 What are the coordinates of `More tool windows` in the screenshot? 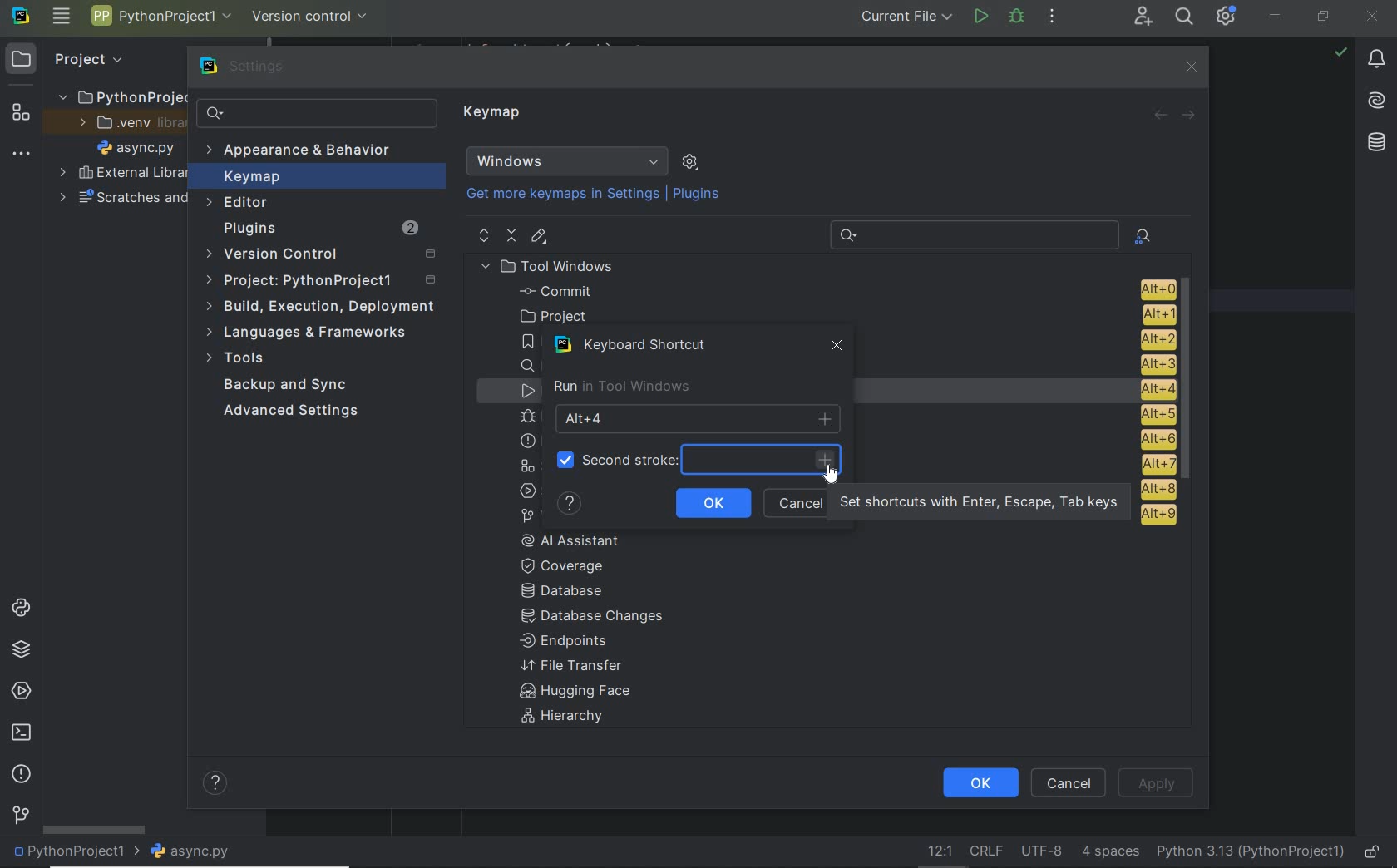 It's located at (22, 150).